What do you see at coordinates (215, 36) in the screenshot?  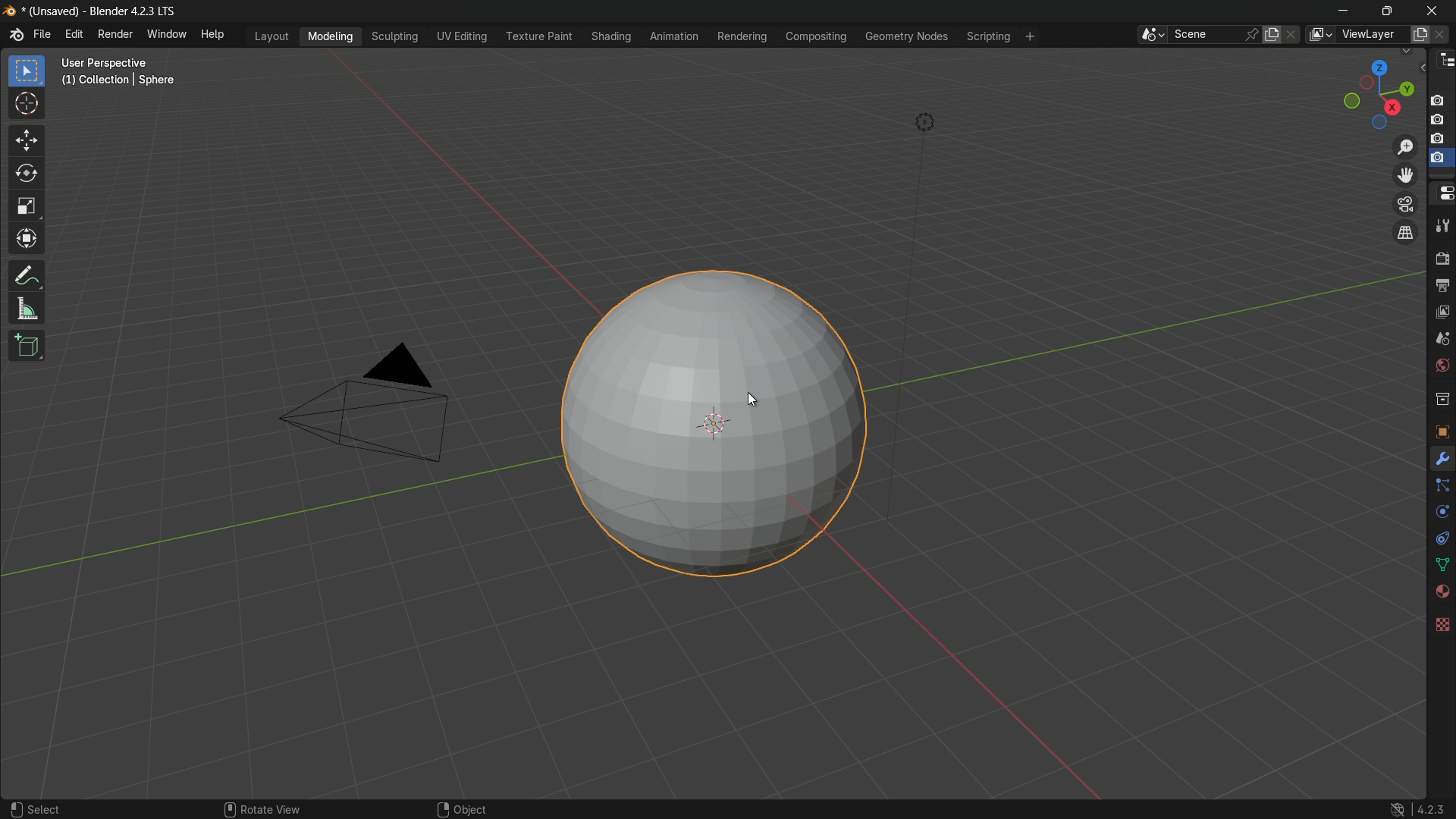 I see `help menu` at bounding box center [215, 36].